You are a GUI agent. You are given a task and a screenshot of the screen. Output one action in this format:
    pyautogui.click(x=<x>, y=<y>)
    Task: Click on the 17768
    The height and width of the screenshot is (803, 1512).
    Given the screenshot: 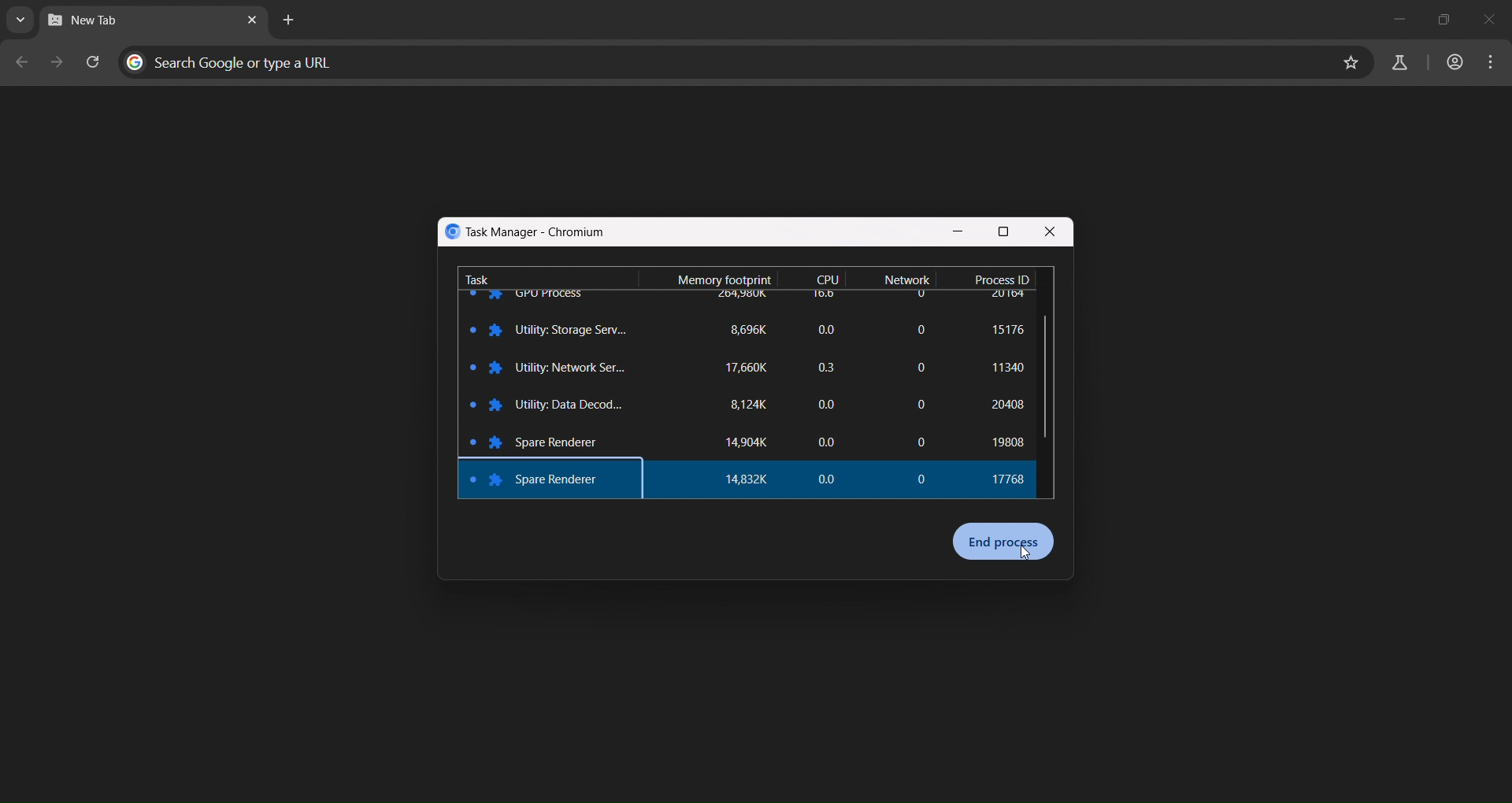 What is the action you would take?
    pyautogui.click(x=1010, y=481)
    